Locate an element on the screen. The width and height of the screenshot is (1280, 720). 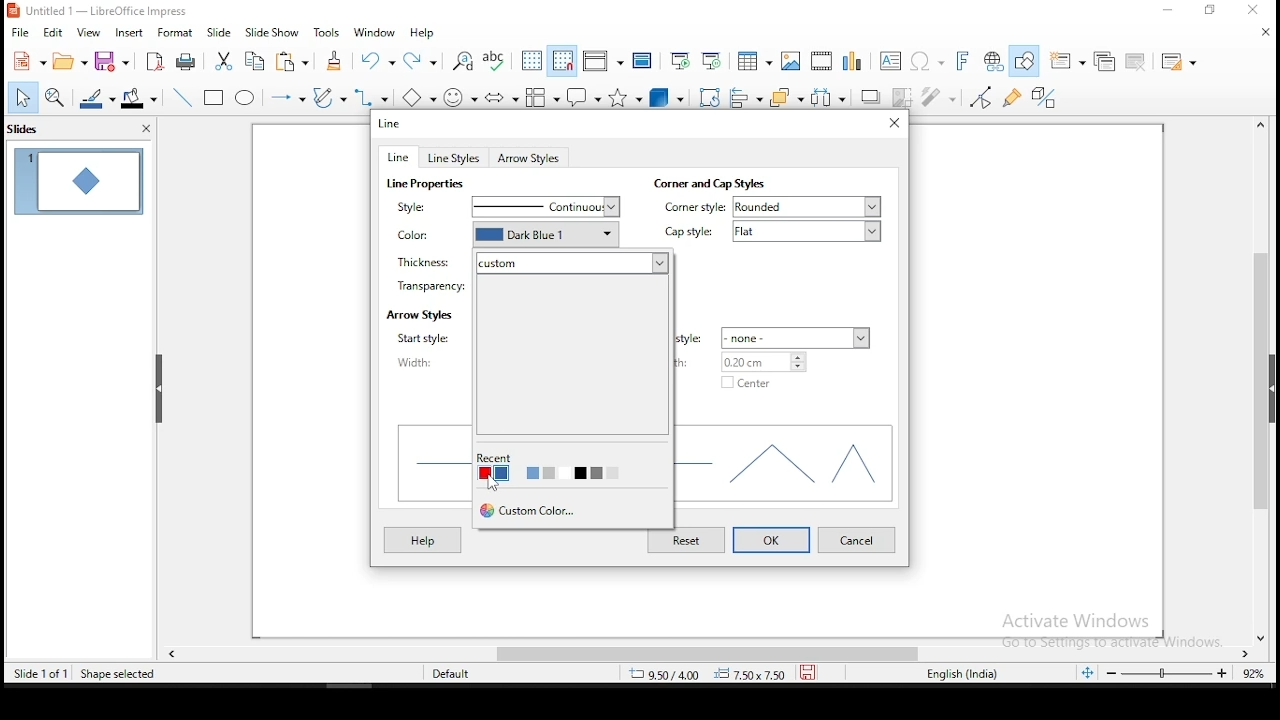
filter is located at coordinates (941, 98).